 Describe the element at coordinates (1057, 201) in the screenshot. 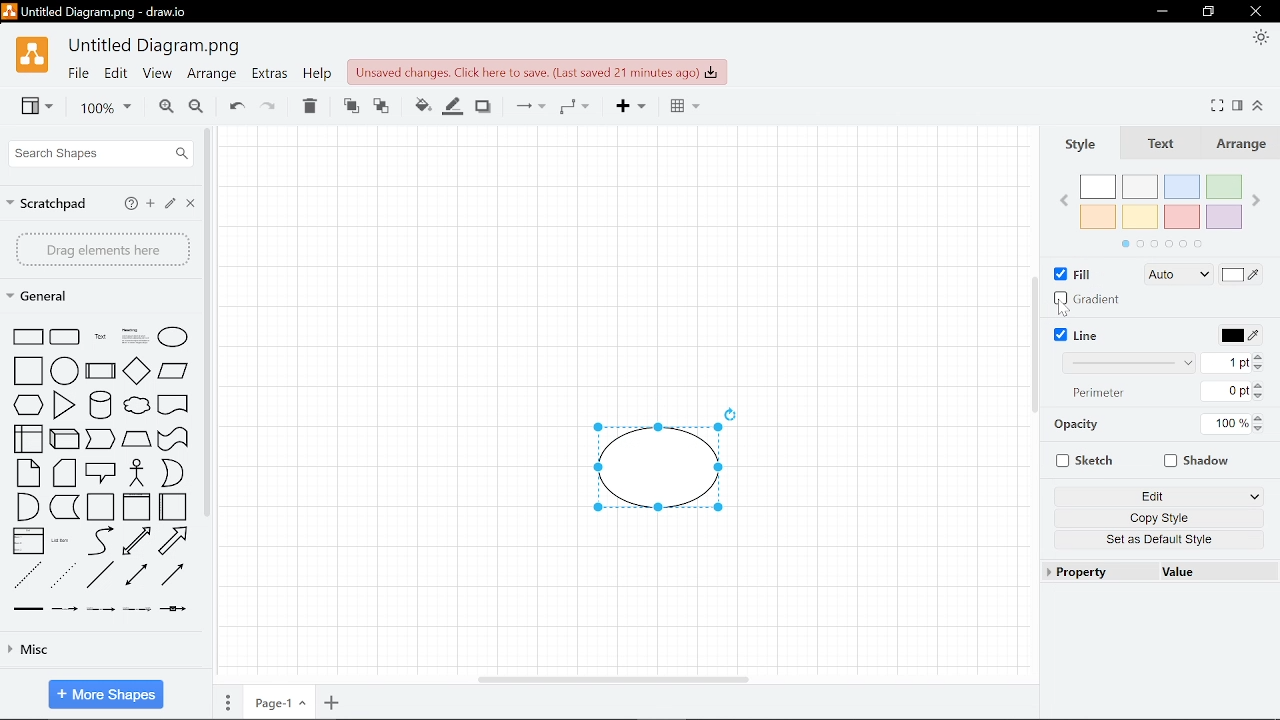

I see `Previous Color palette` at that location.